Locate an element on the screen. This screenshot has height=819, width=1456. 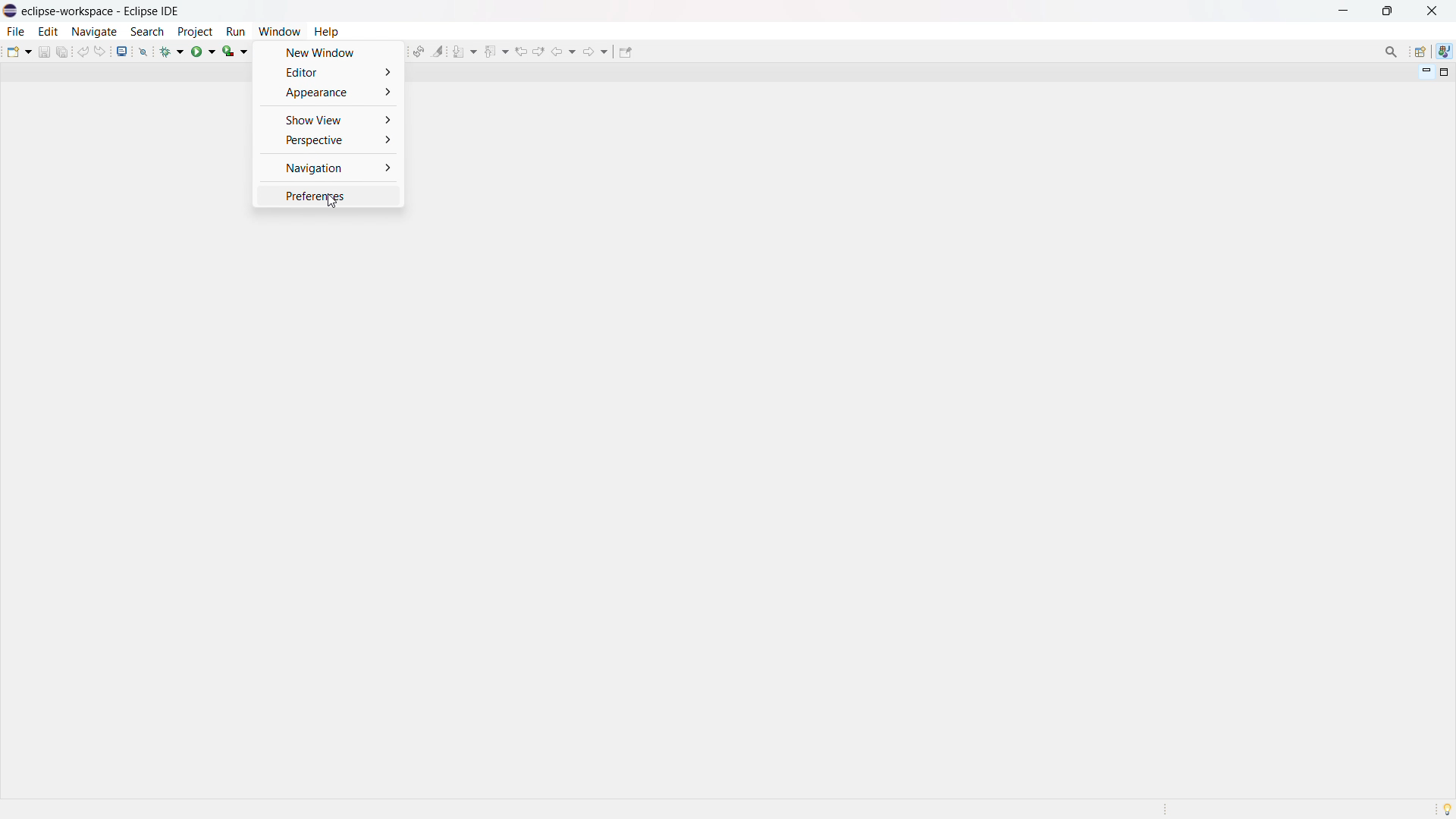
navigate is located at coordinates (93, 31).